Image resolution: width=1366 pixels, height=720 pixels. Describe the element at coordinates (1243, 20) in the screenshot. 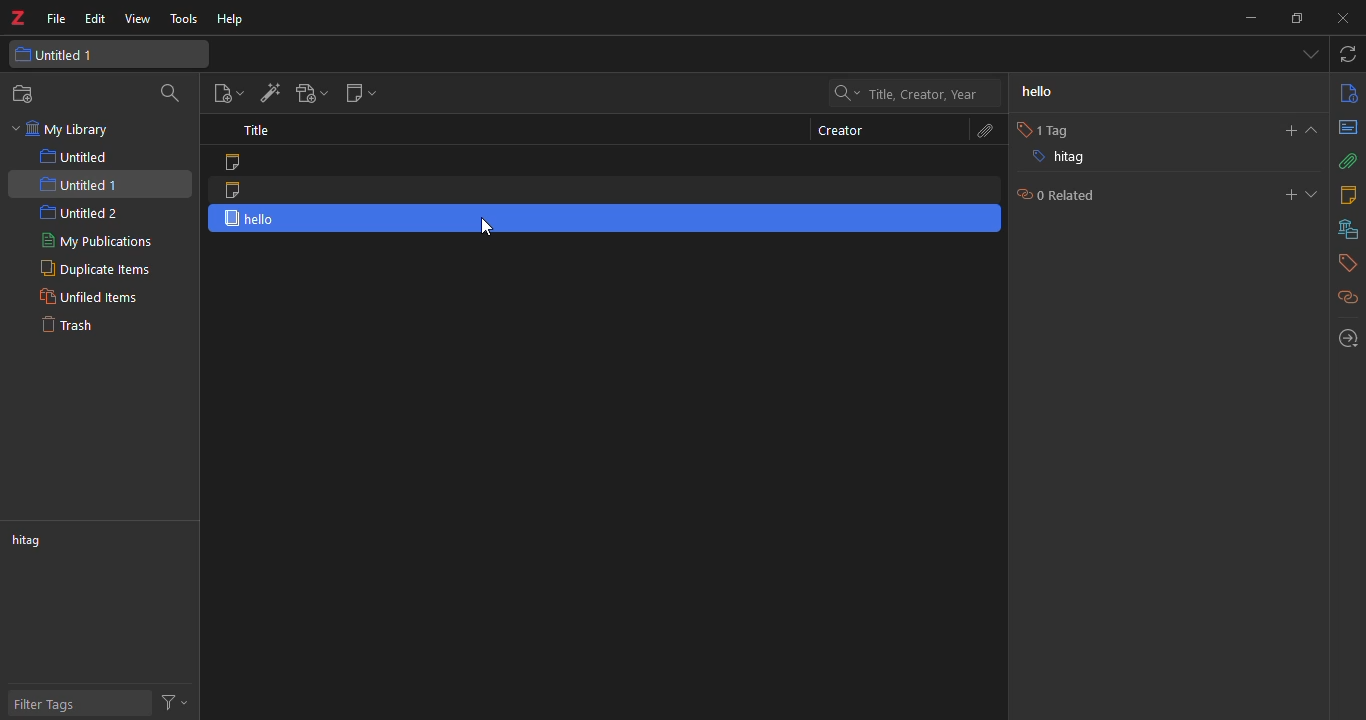

I see `minimize` at that location.